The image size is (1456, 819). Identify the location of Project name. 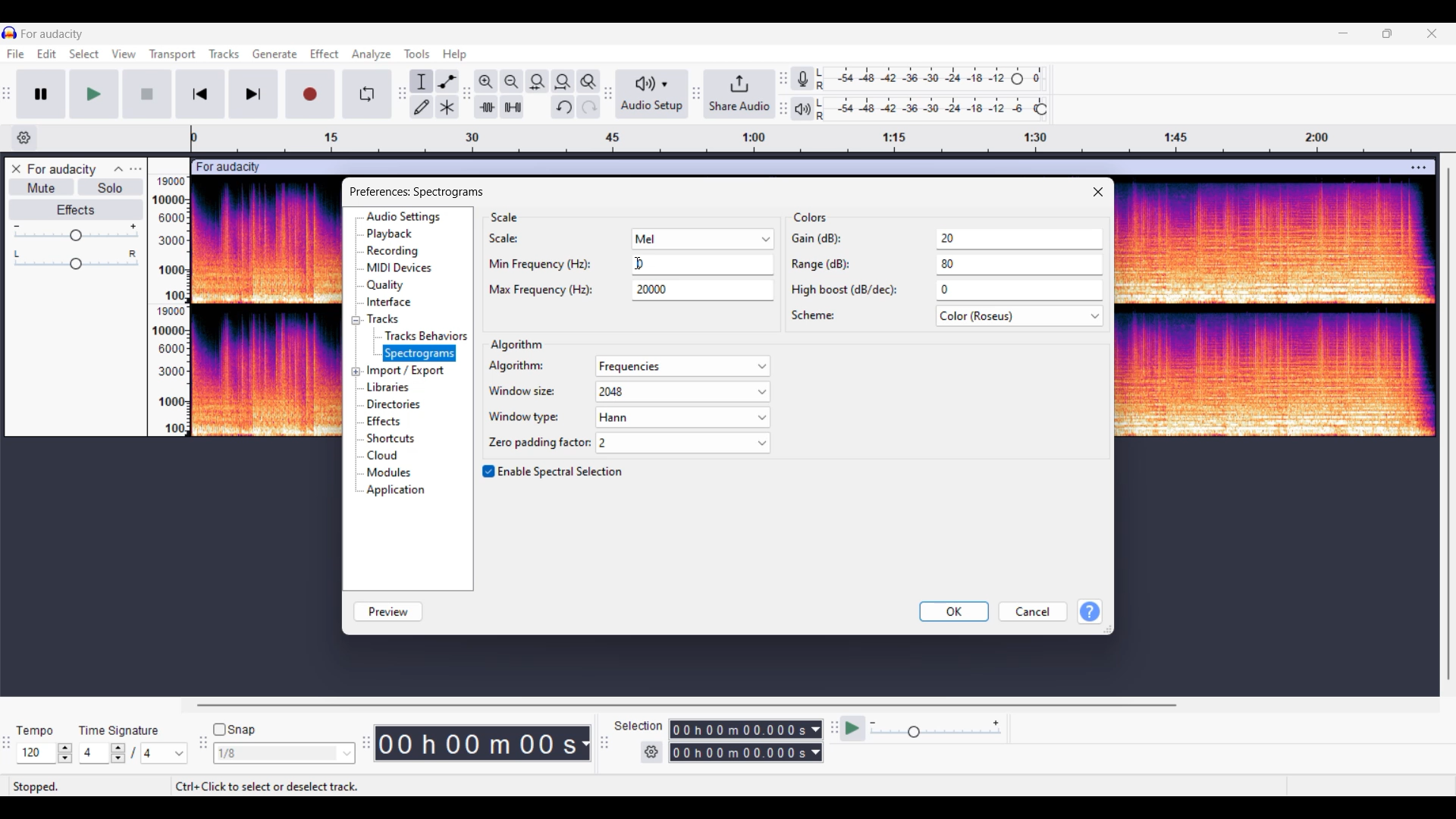
(52, 34).